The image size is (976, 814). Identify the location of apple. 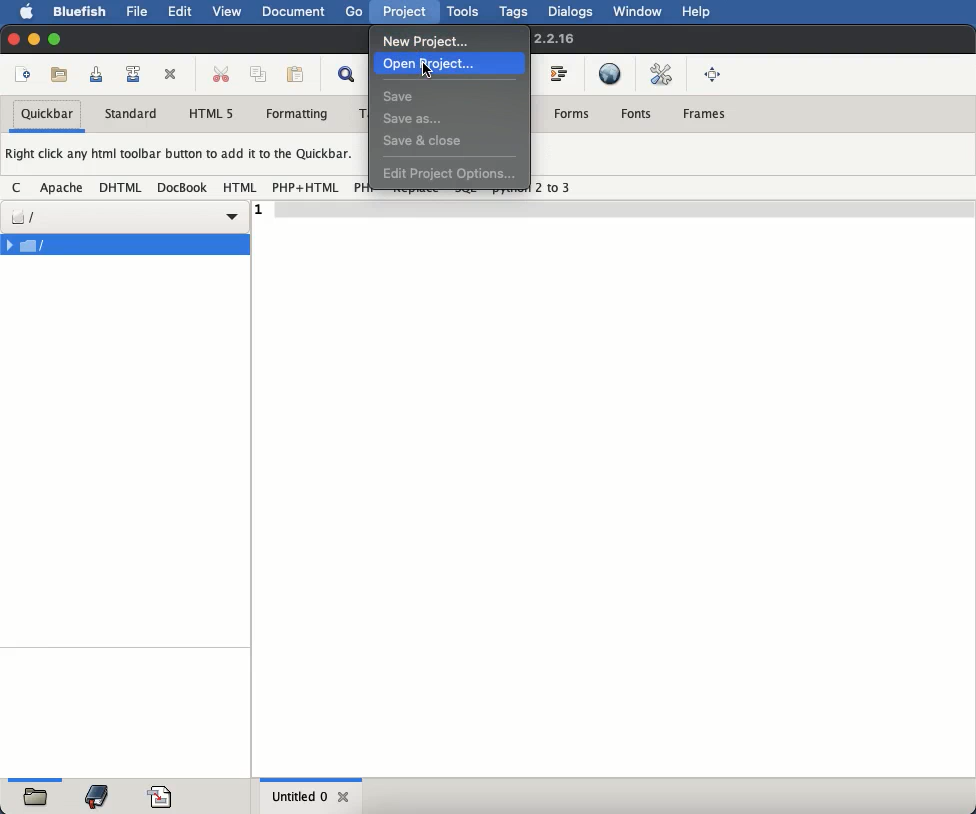
(29, 12).